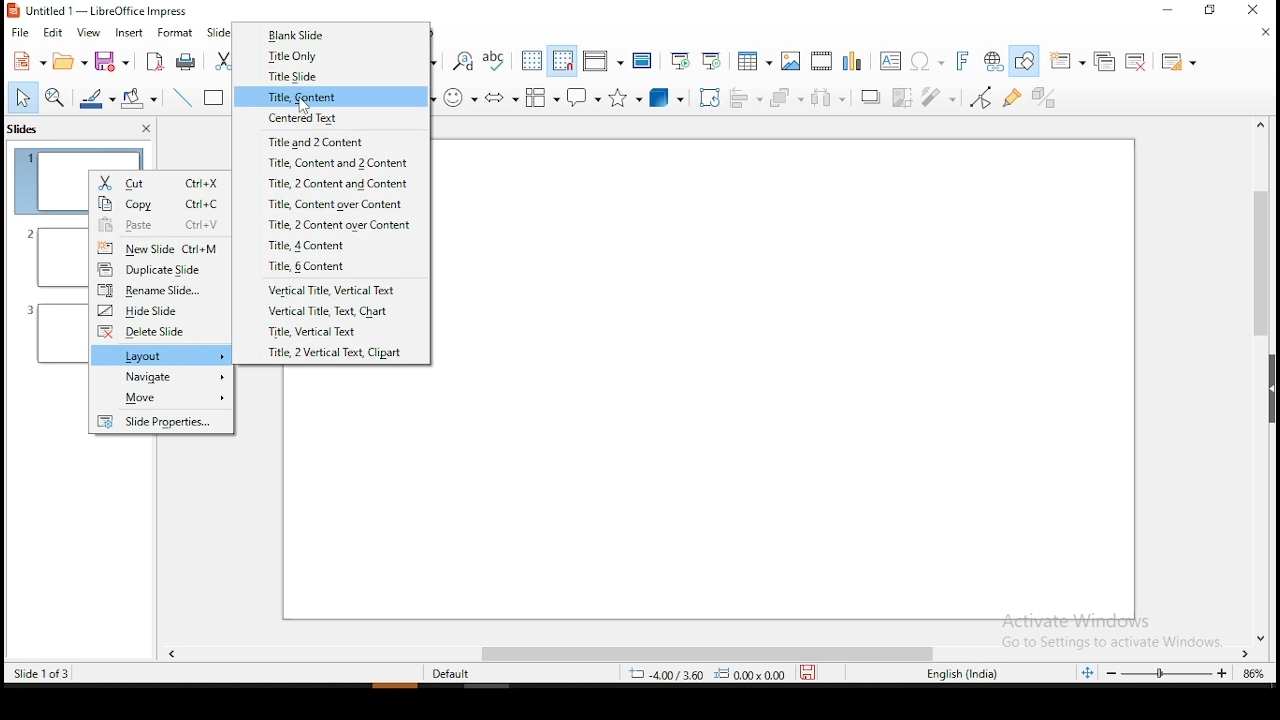 This screenshot has width=1280, height=720. What do you see at coordinates (754, 61) in the screenshot?
I see `tables` at bounding box center [754, 61].